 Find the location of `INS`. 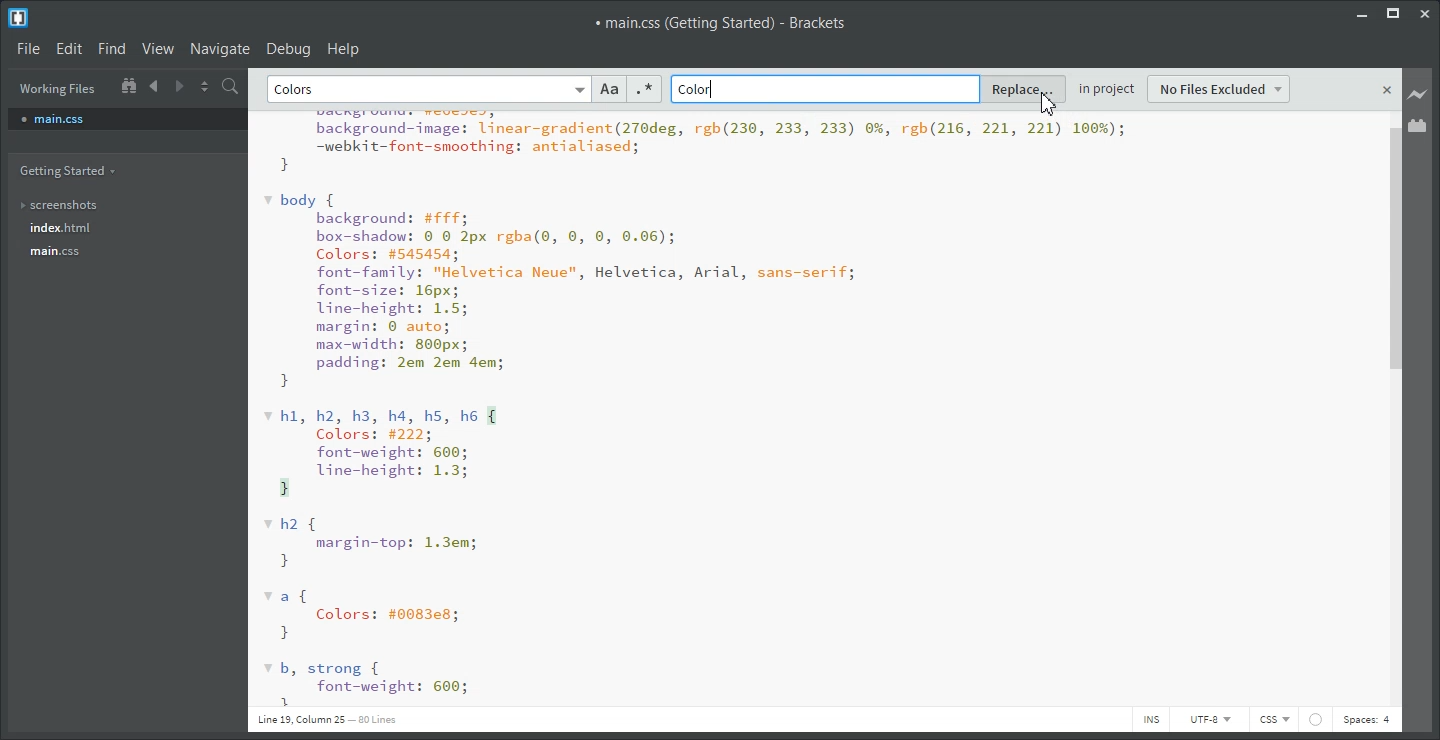

INS is located at coordinates (1150, 719).